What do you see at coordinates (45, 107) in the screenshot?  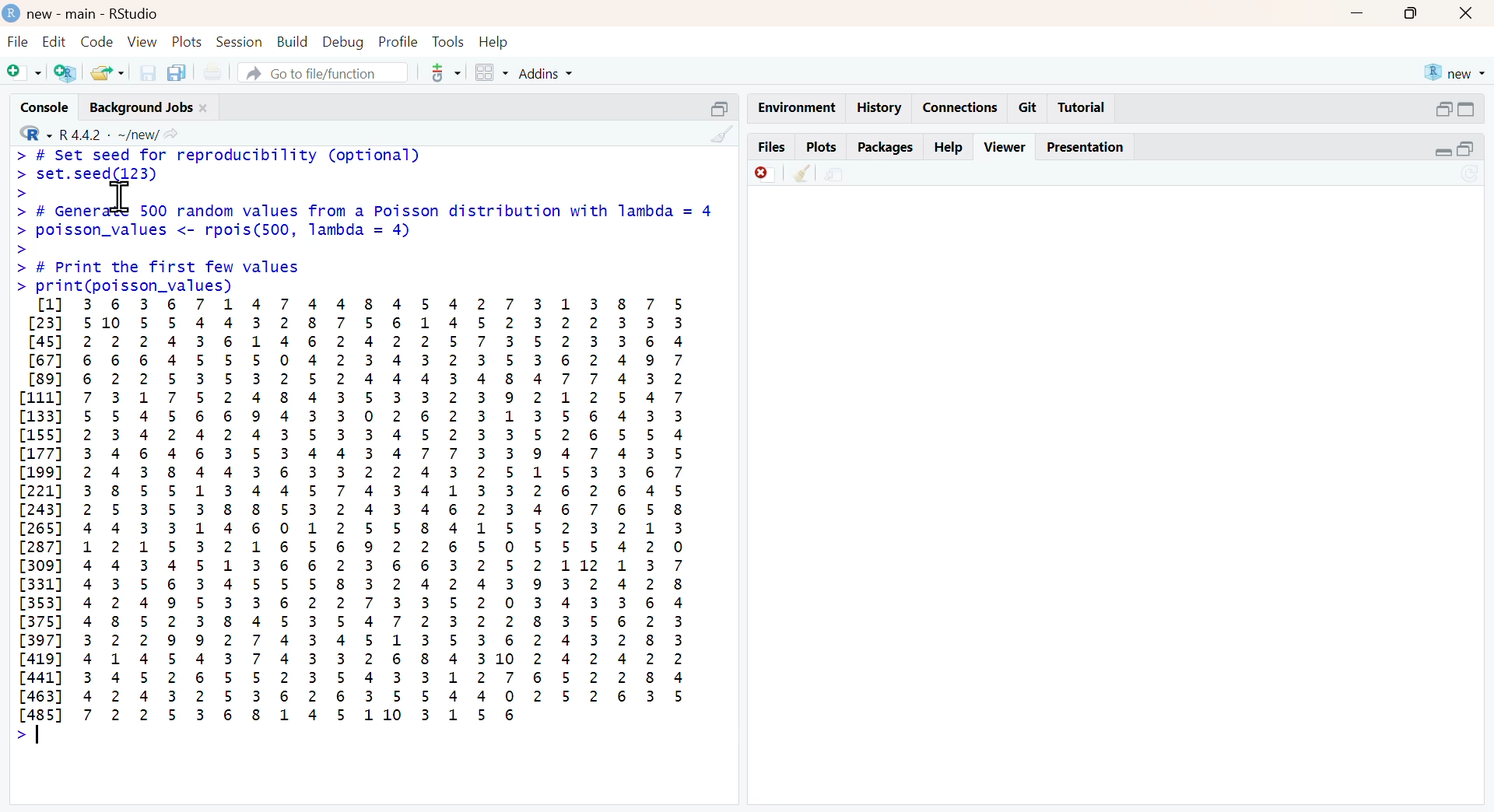 I see `console` at bounding box center [45, 107].